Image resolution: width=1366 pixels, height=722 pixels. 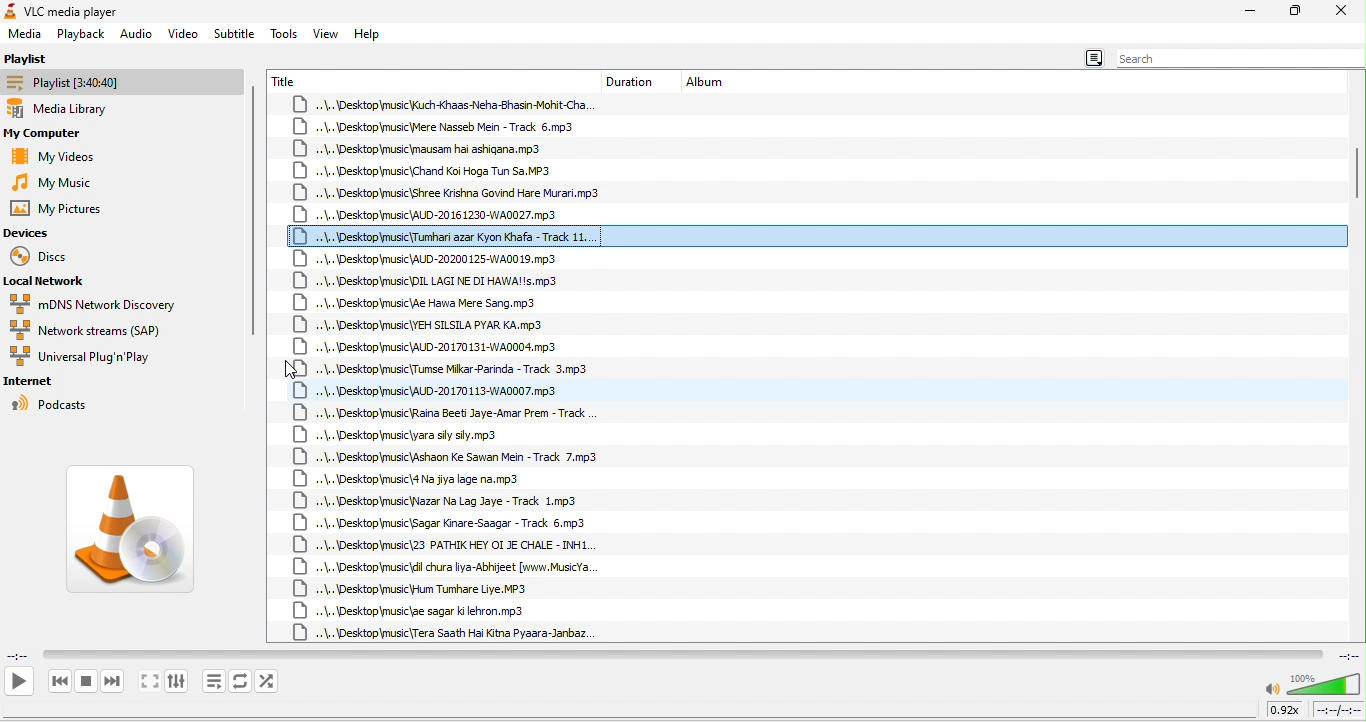 I want to click on ..\..\Desktop\music\yara sy sly.mp3, so click(x=397, y=435).